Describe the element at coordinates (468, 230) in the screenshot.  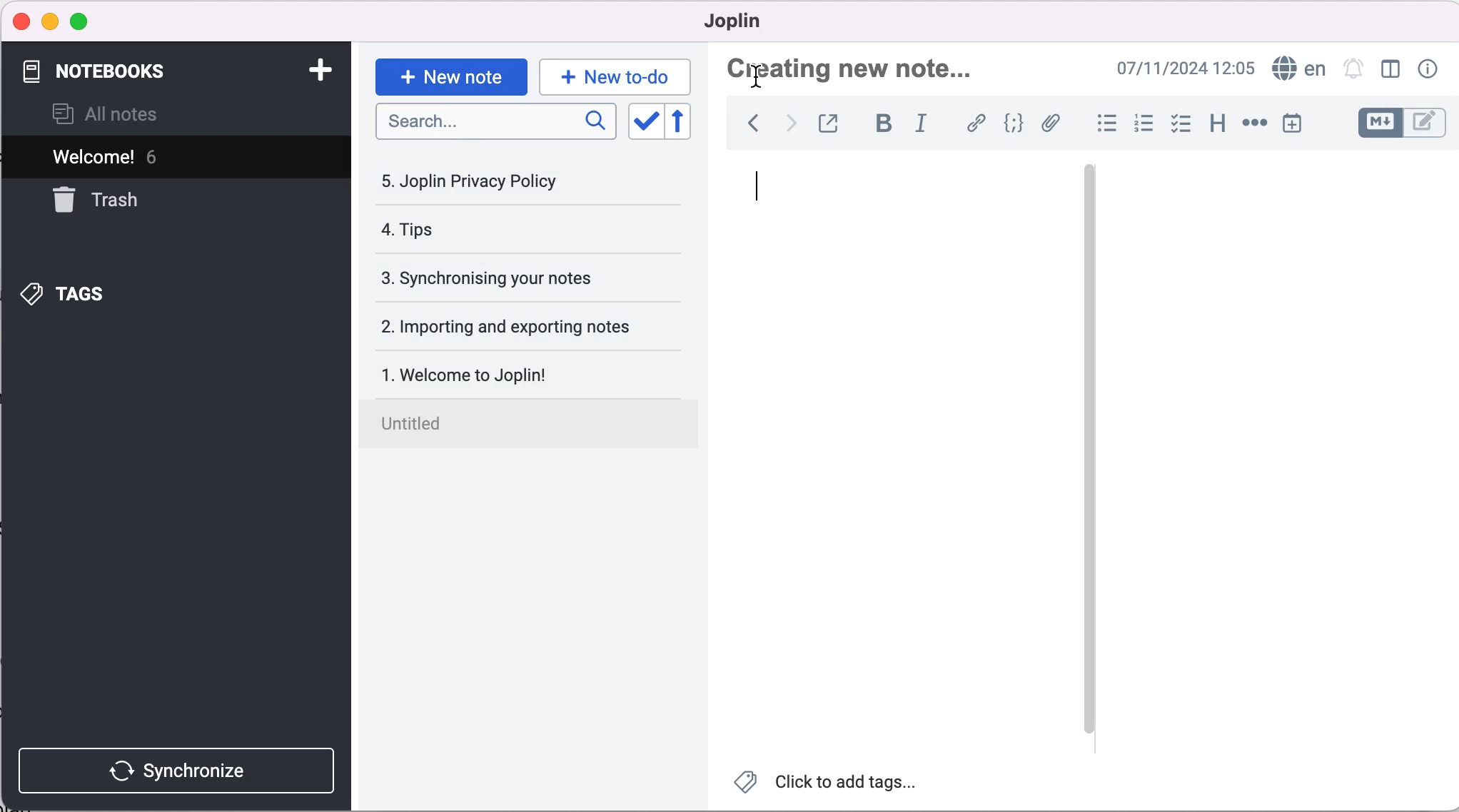
I see `tips` at that location.